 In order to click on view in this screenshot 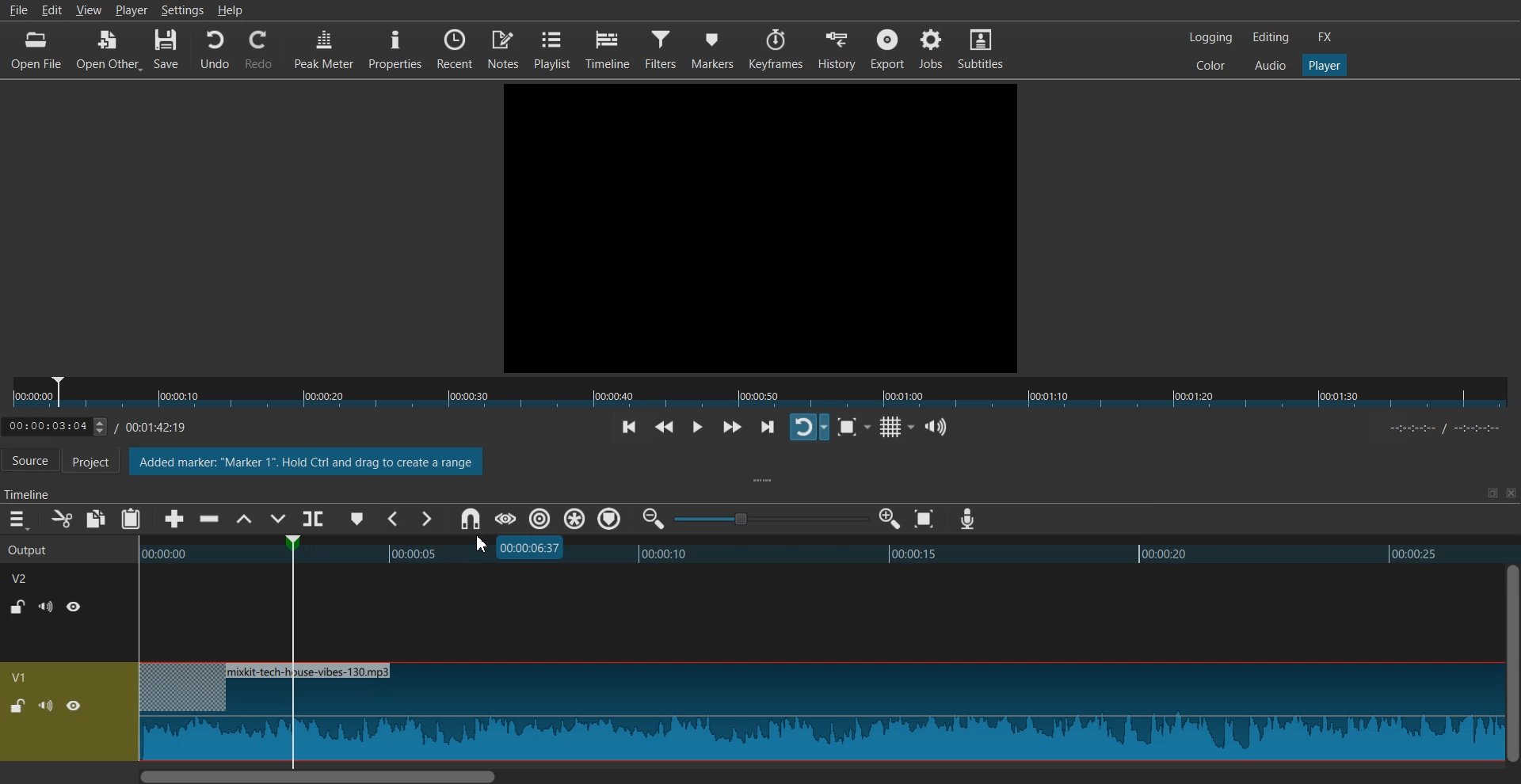, I will do `click(90, 10)`.